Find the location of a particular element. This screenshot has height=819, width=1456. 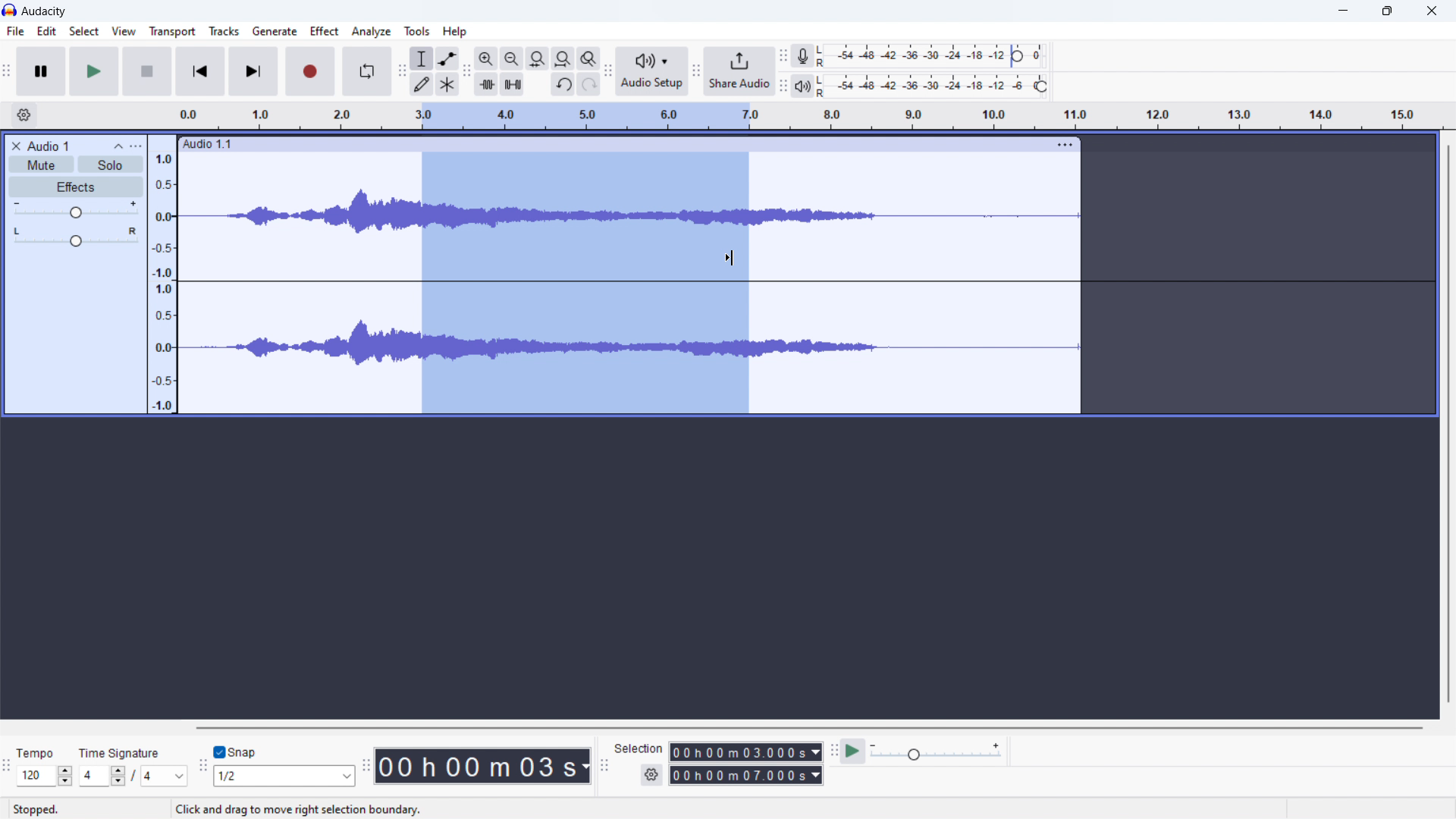

skip to start is located at coordinates (199, 72).